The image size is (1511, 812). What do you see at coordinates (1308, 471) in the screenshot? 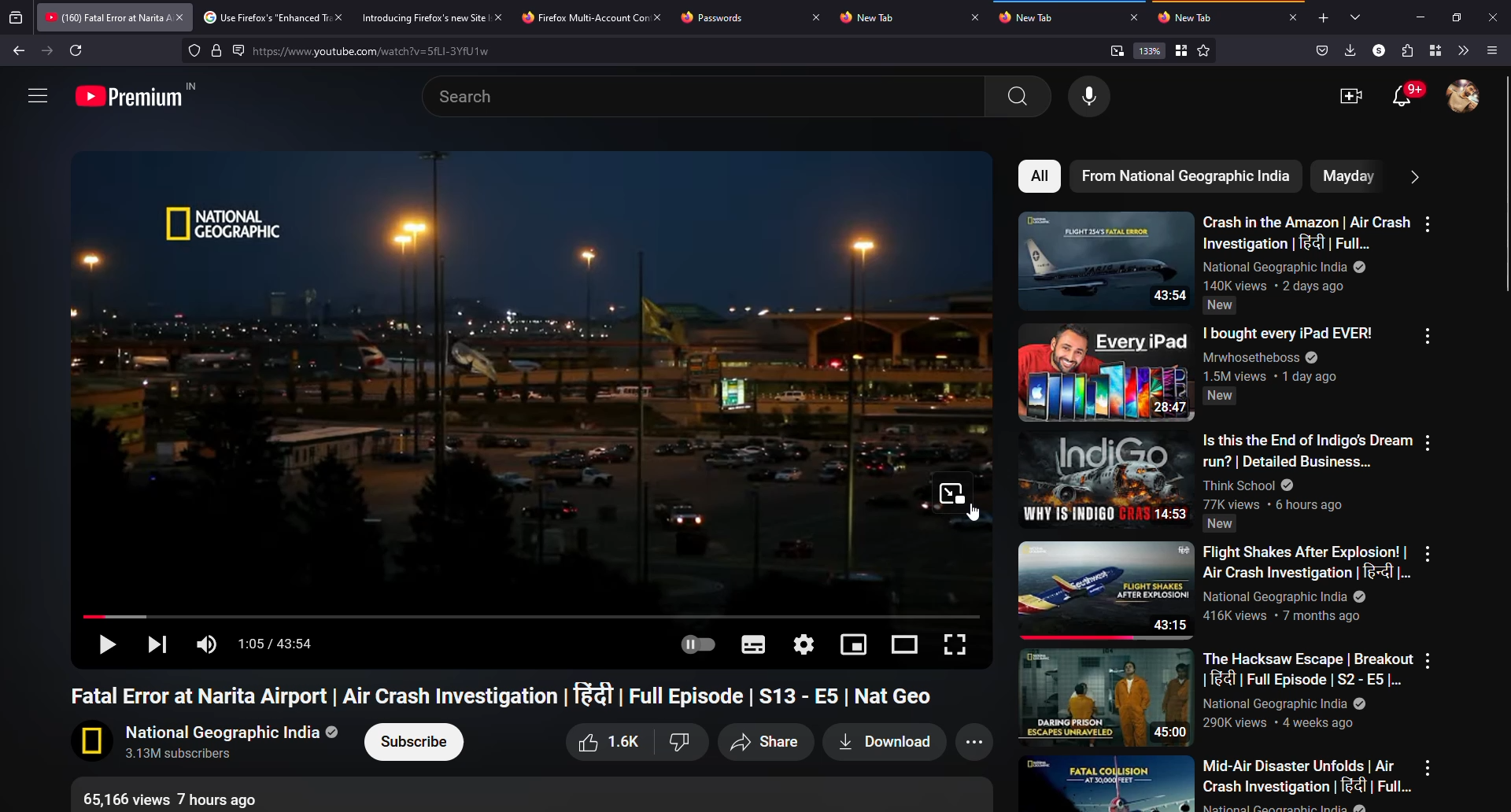
I see `video text description` at bounding box center [1308, 471].